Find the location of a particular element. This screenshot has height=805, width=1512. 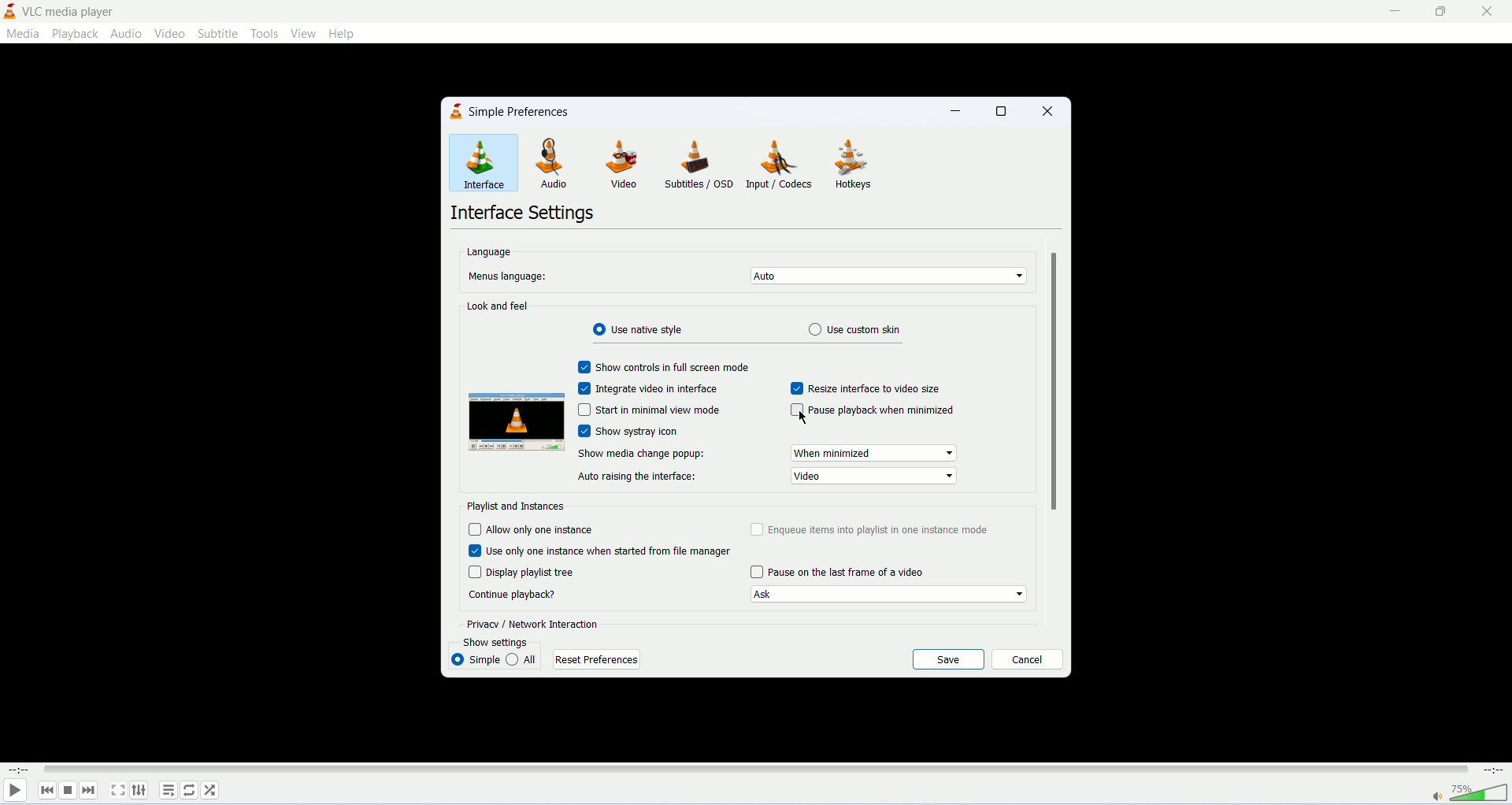

auto raising the interface is located at coordinates (639, 475).